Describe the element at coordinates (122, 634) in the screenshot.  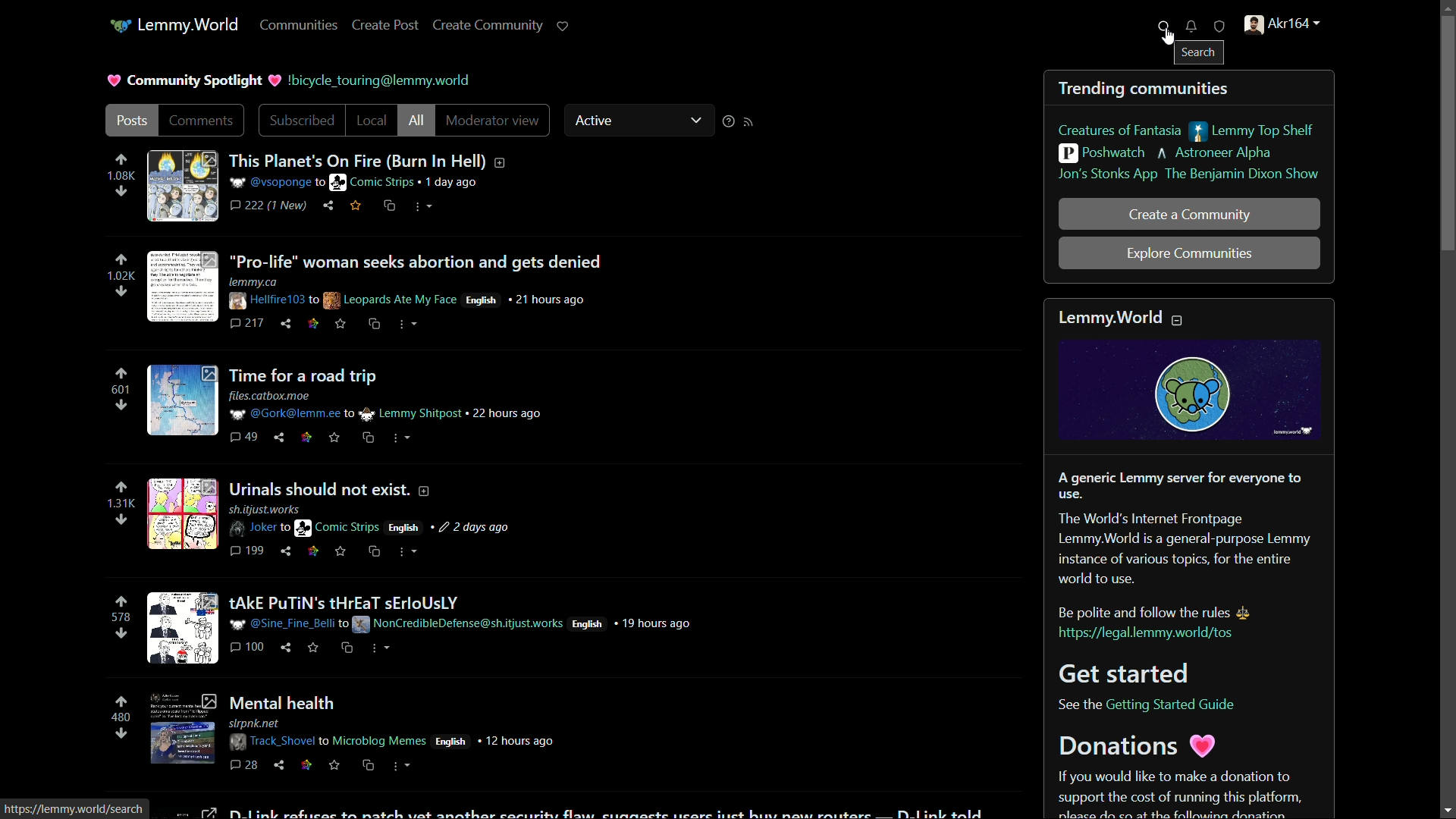
I see `downvote` at that location.